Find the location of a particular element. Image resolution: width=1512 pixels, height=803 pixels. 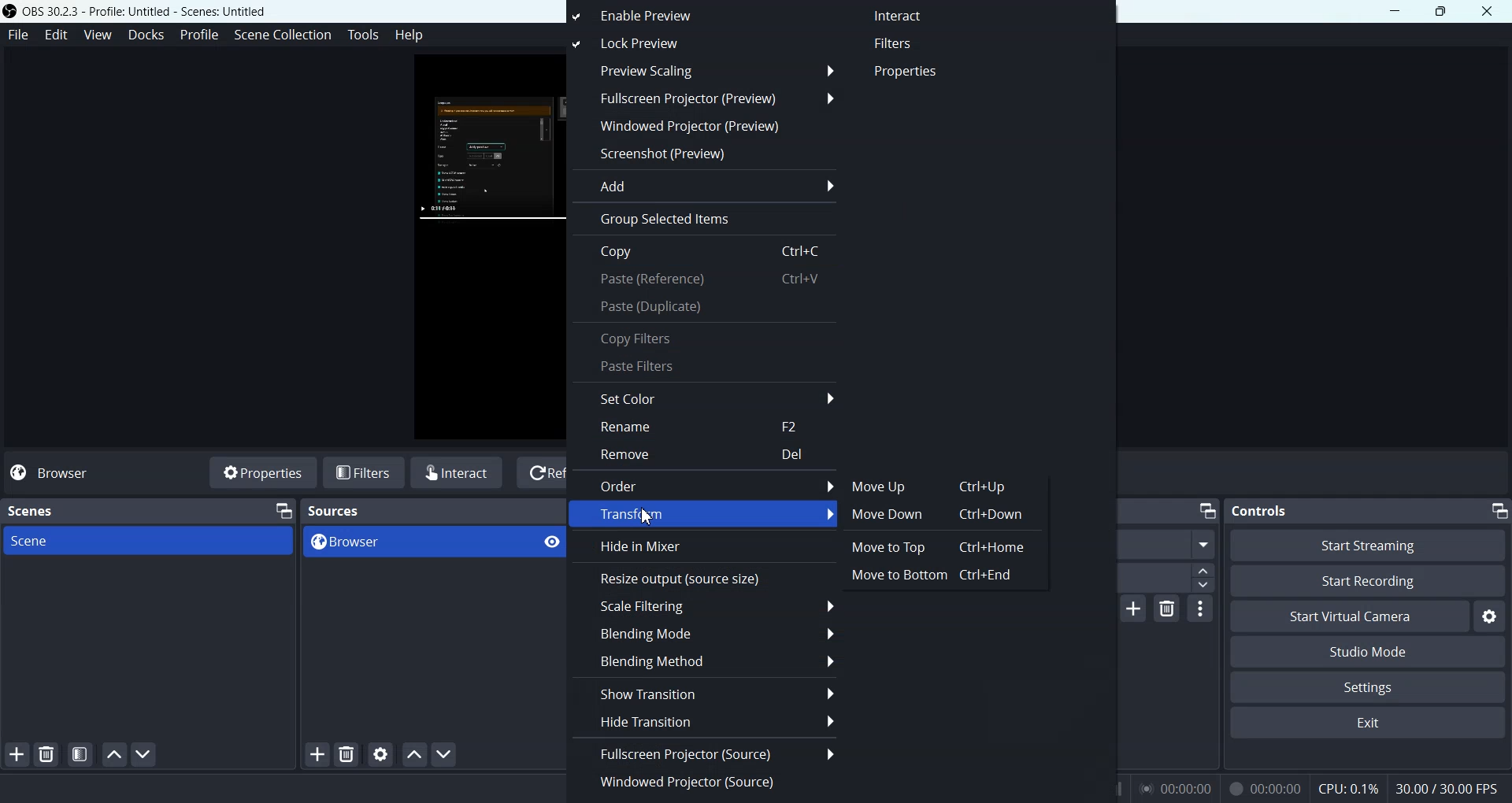

Scale Filtering is located at coordinates (706, 607).